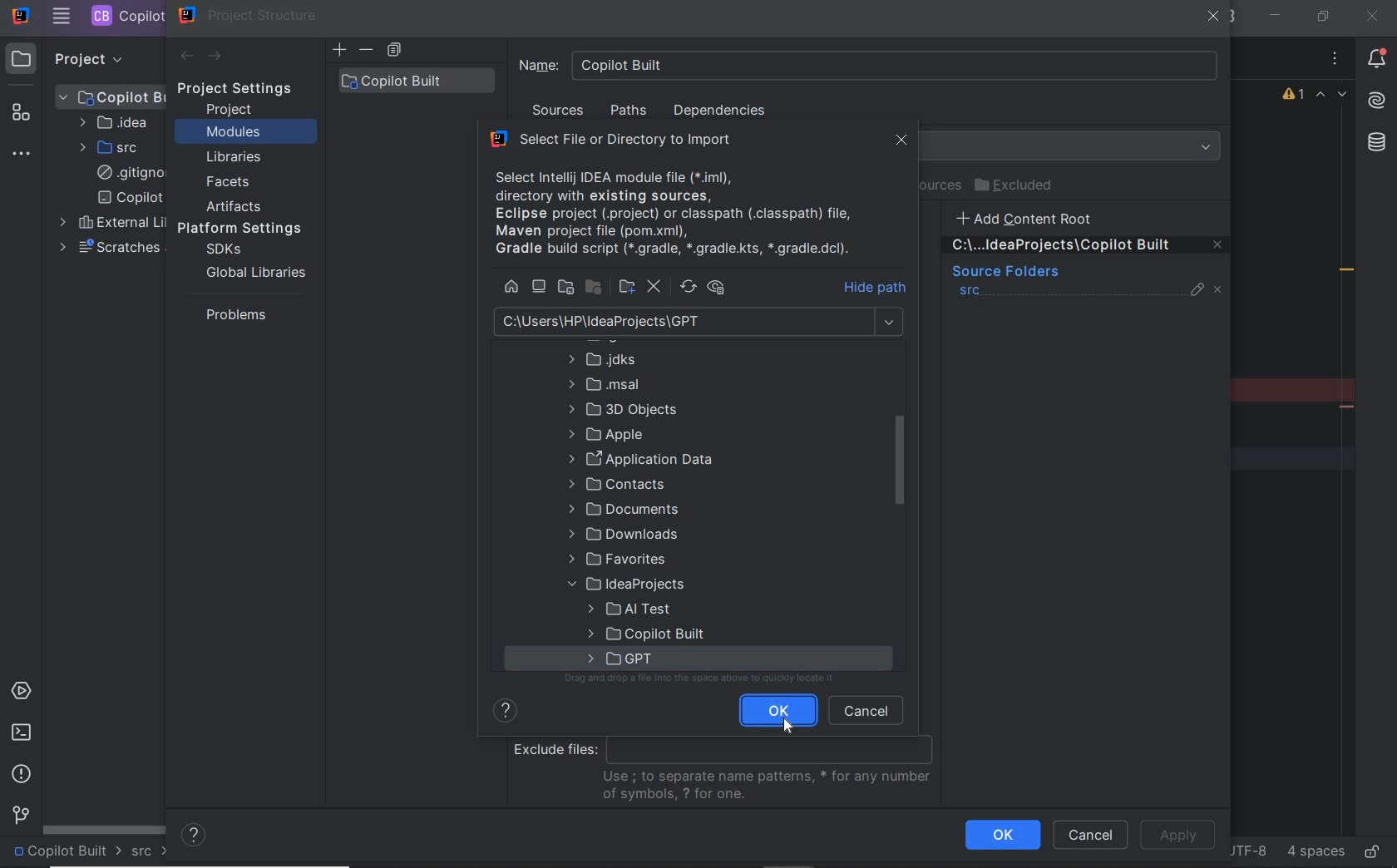  What do you see at coordinates (653, 286) in the screenshot?
I see `delete` at bounding box center [653, 286].